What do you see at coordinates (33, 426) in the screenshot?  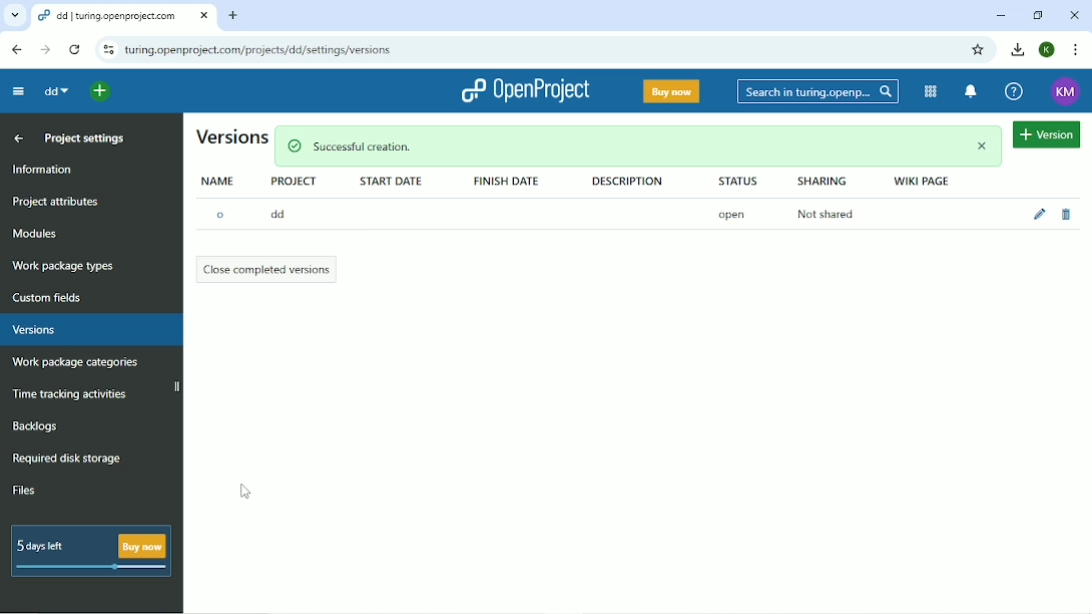 I see `Backlogs` at bounding box center [33, 426].